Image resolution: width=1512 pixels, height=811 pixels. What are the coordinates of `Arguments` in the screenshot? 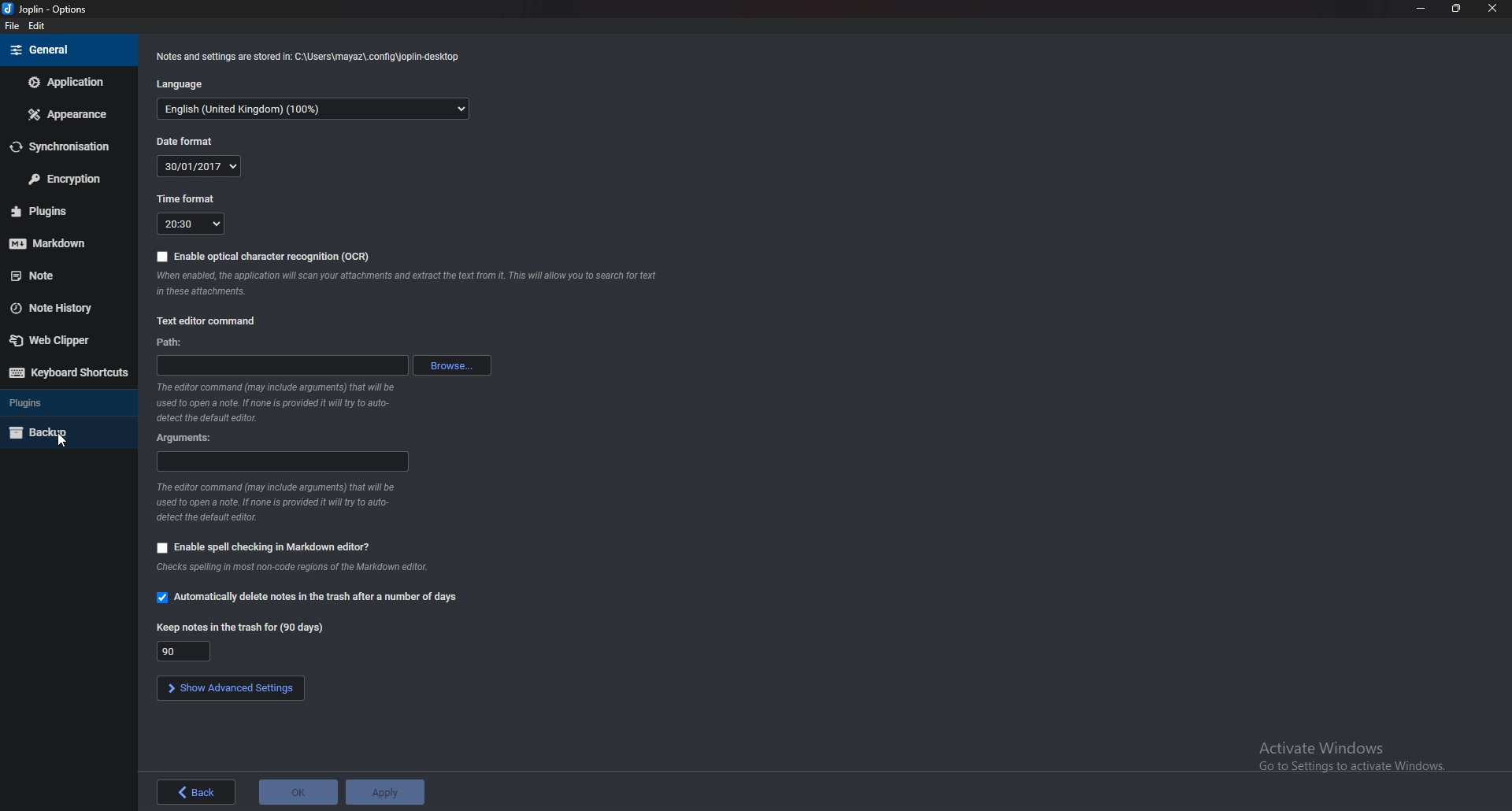 It's located at (190, 437).